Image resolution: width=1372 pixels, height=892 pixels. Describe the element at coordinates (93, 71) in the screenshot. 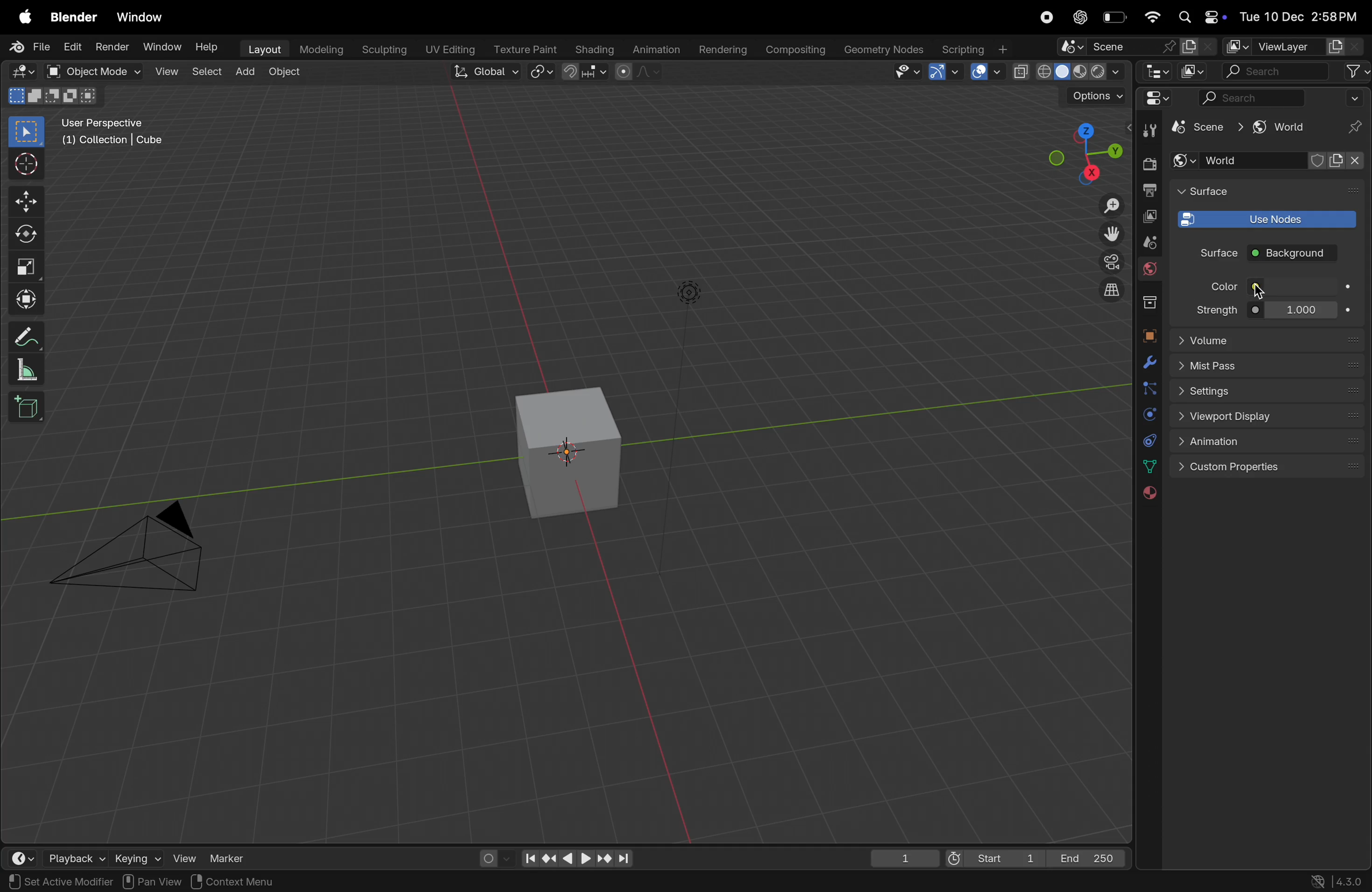

I see `object mode` at that location.